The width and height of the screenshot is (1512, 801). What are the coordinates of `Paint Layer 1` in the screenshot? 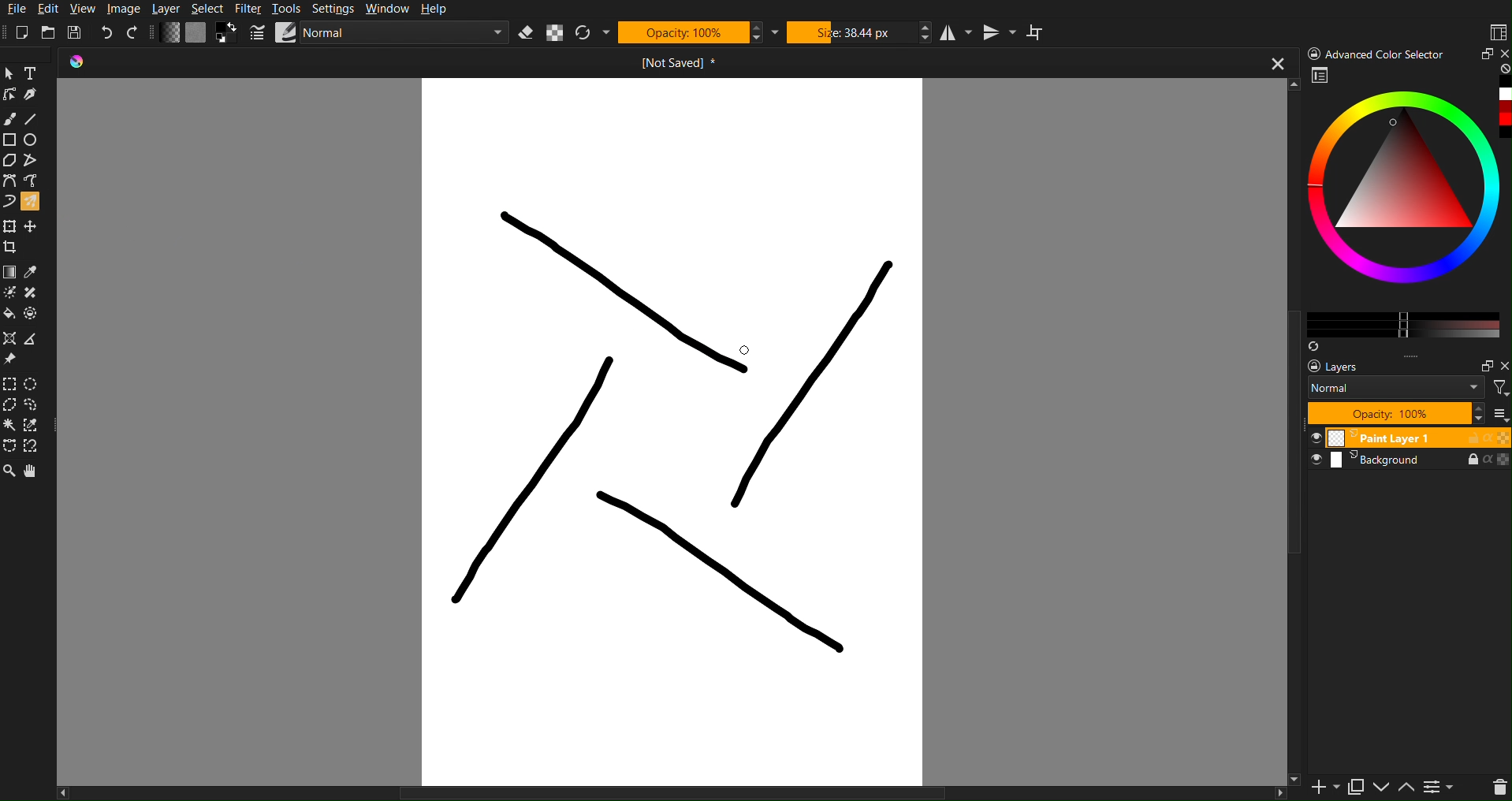 It's located at (1410, 437).